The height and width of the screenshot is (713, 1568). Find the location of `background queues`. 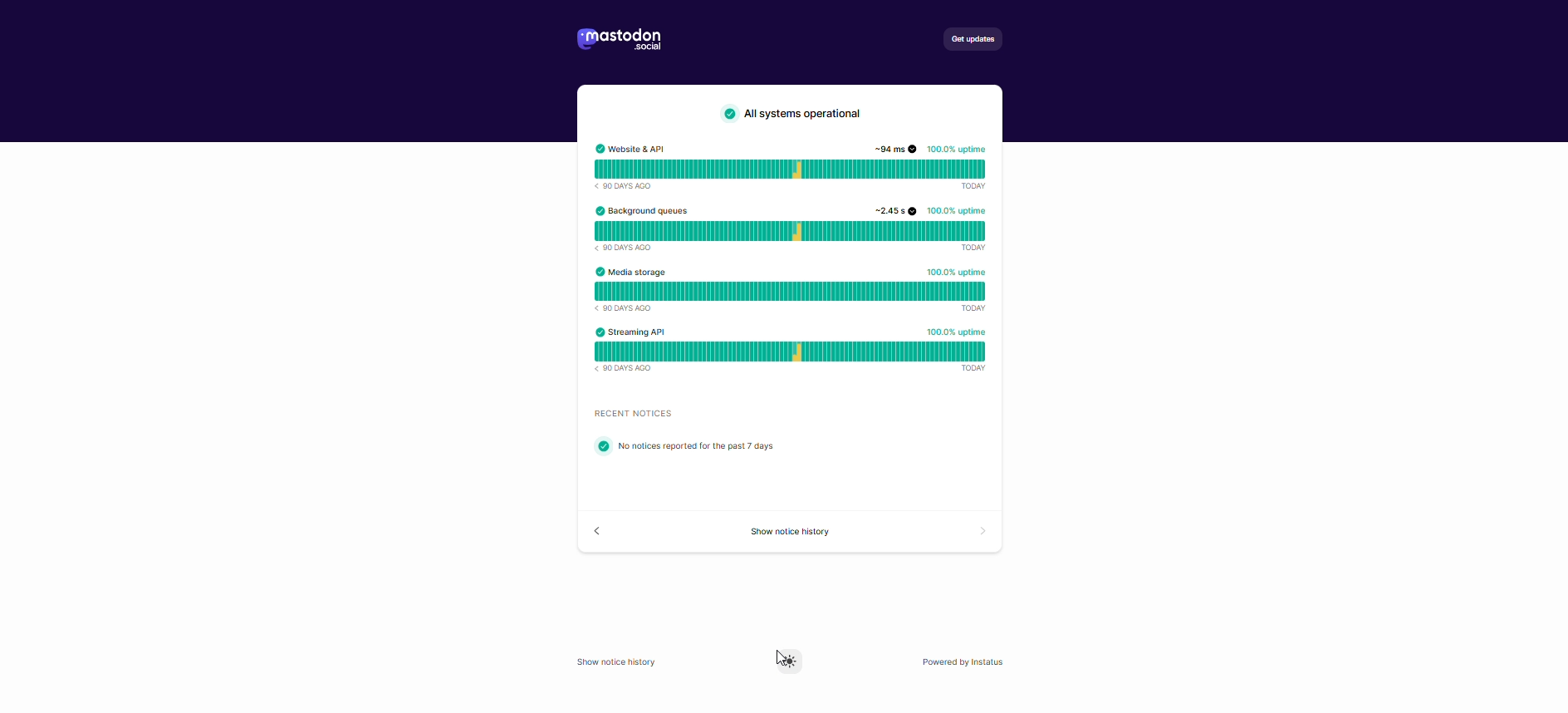

background queues is located at coordinates (793, 227).